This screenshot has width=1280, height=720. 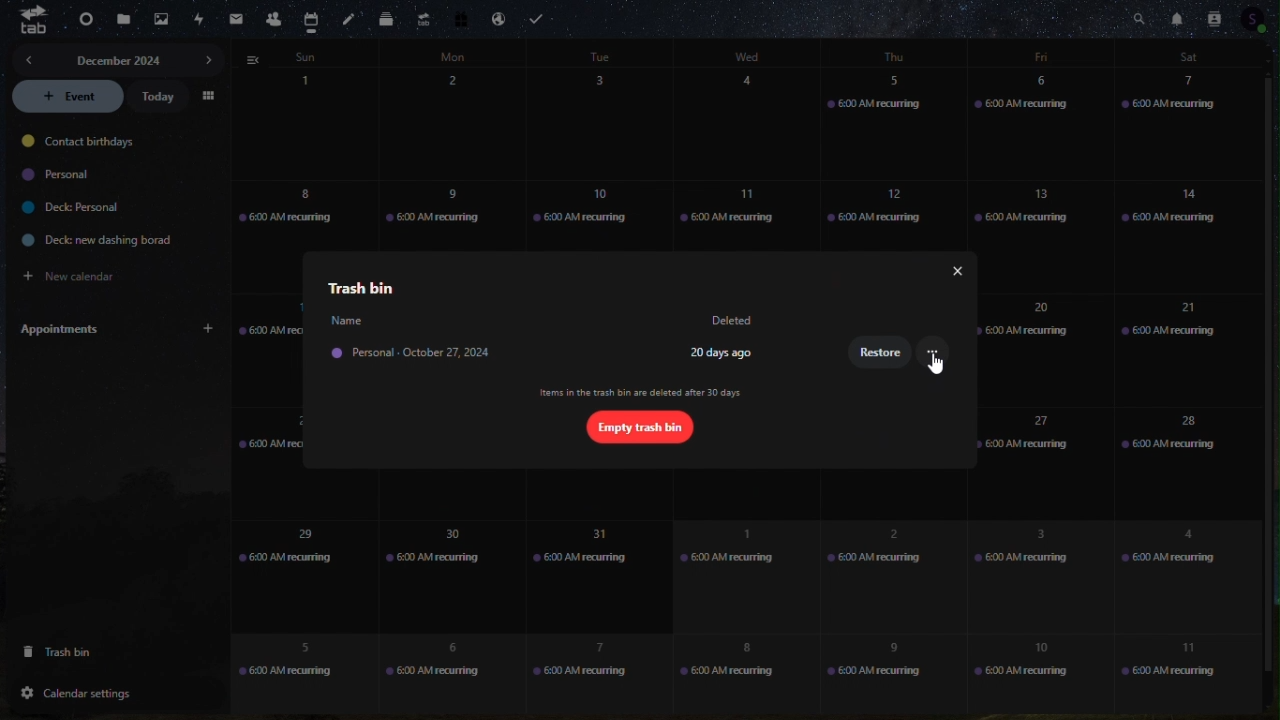 What do you see at coordinates (61, 175) in the screenshot?
I see `personal` at bounding box center [61, 175].